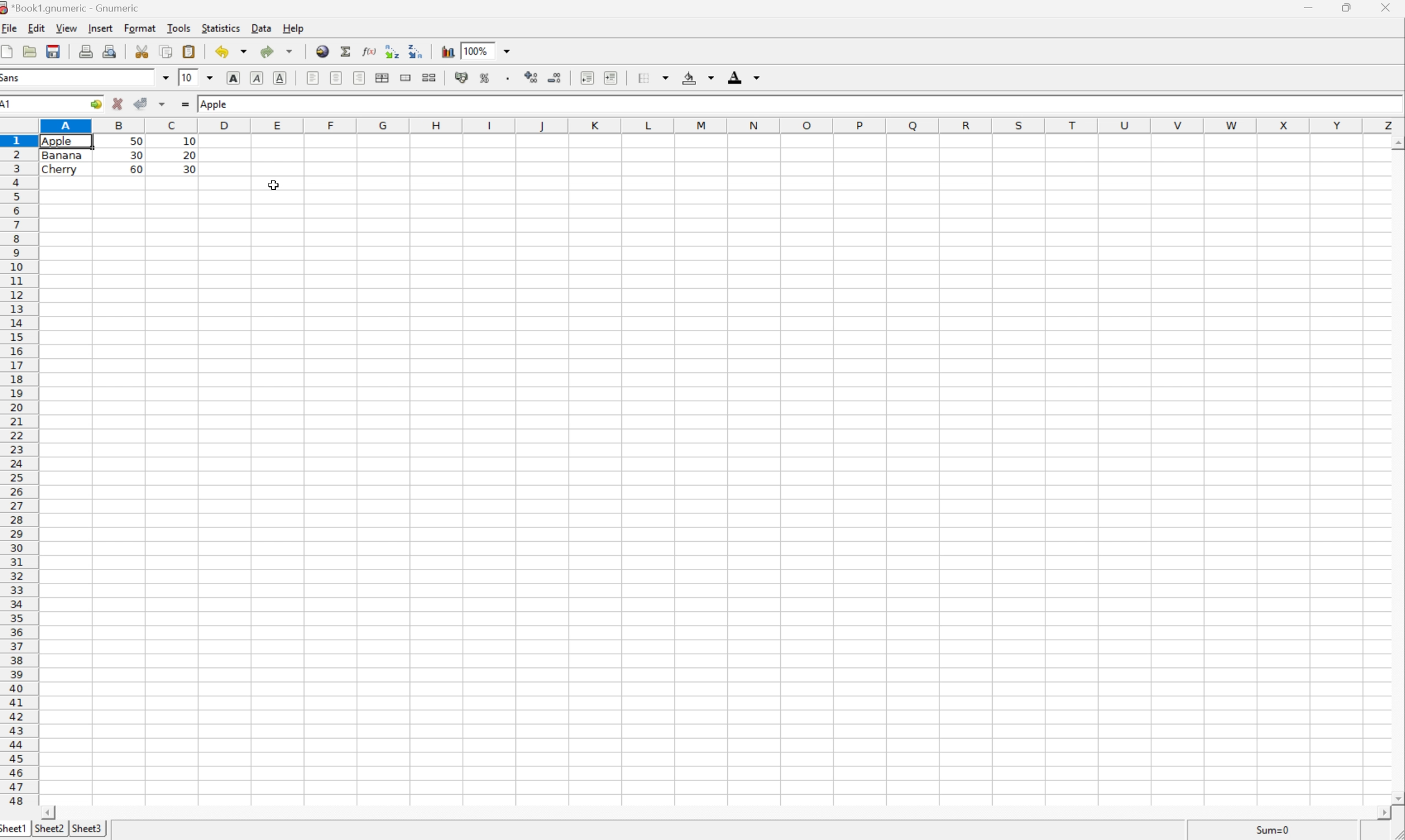 The height and width of the screenshot is (840, 1405). I want to click on decrease indent, so click(587, 78).